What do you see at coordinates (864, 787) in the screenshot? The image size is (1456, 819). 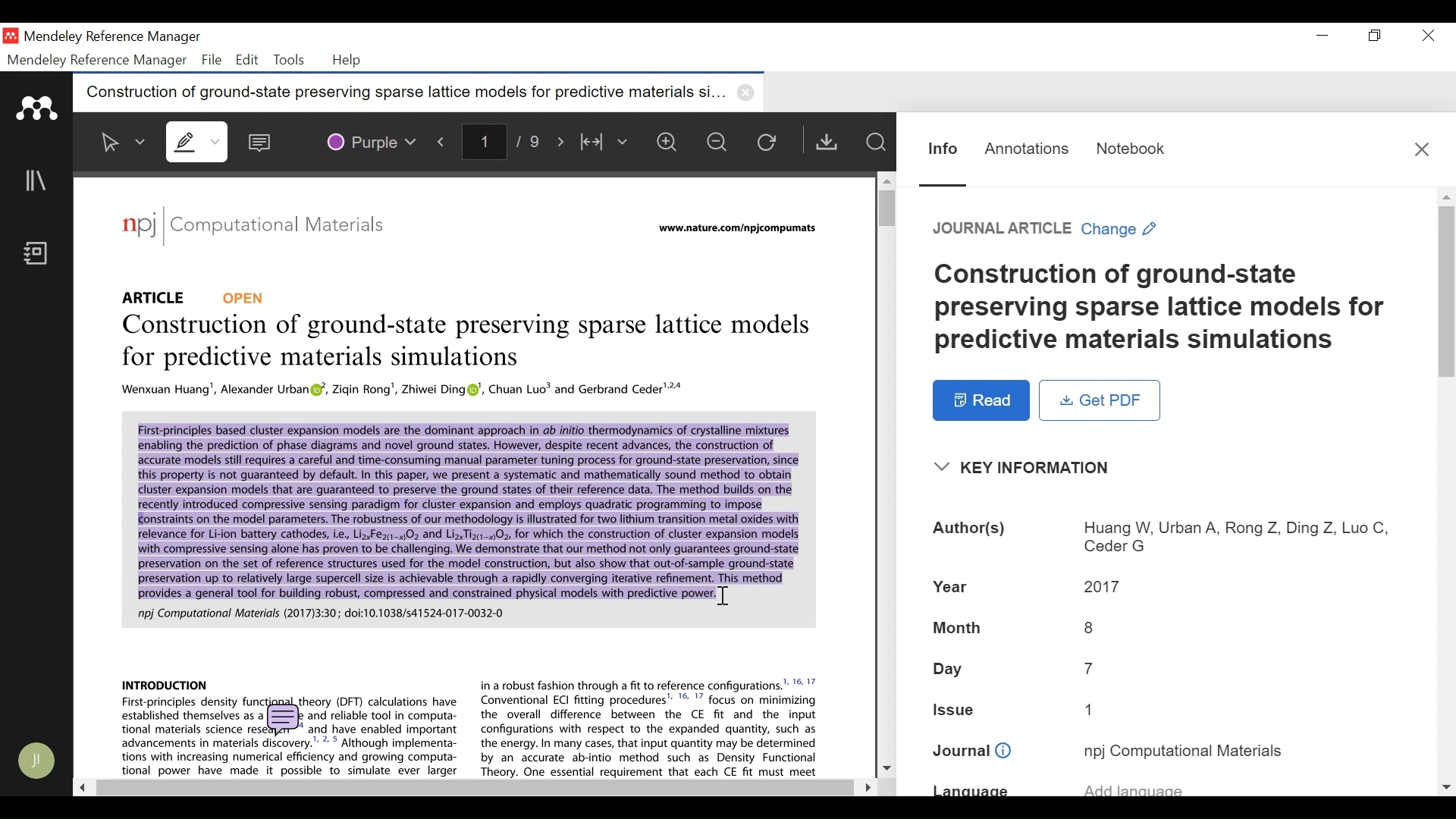 I see `Scroll Right` at bounding box center [864, 787].